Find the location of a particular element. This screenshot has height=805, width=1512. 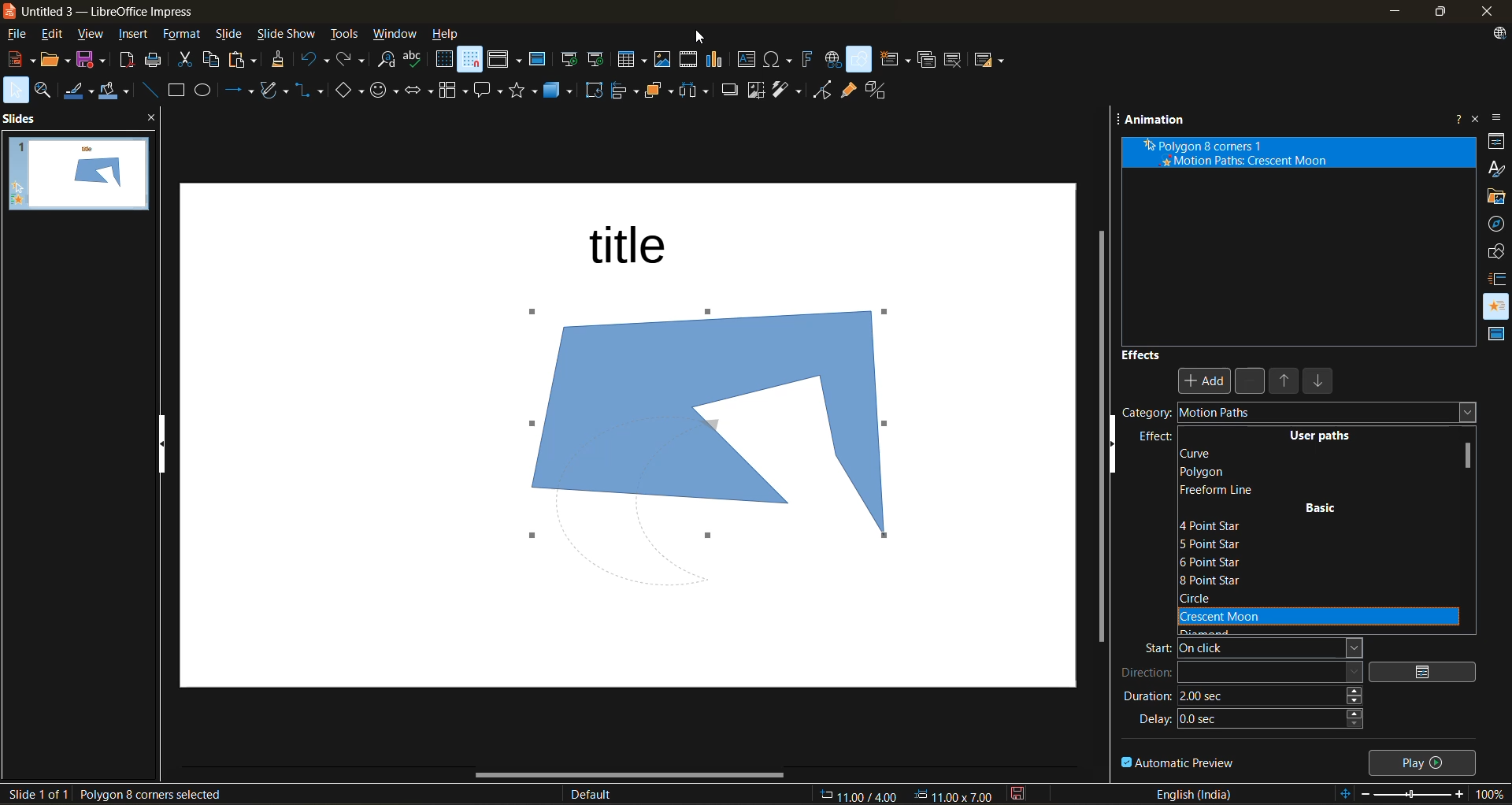

fit to slide is located at coordinates (1342, 792).